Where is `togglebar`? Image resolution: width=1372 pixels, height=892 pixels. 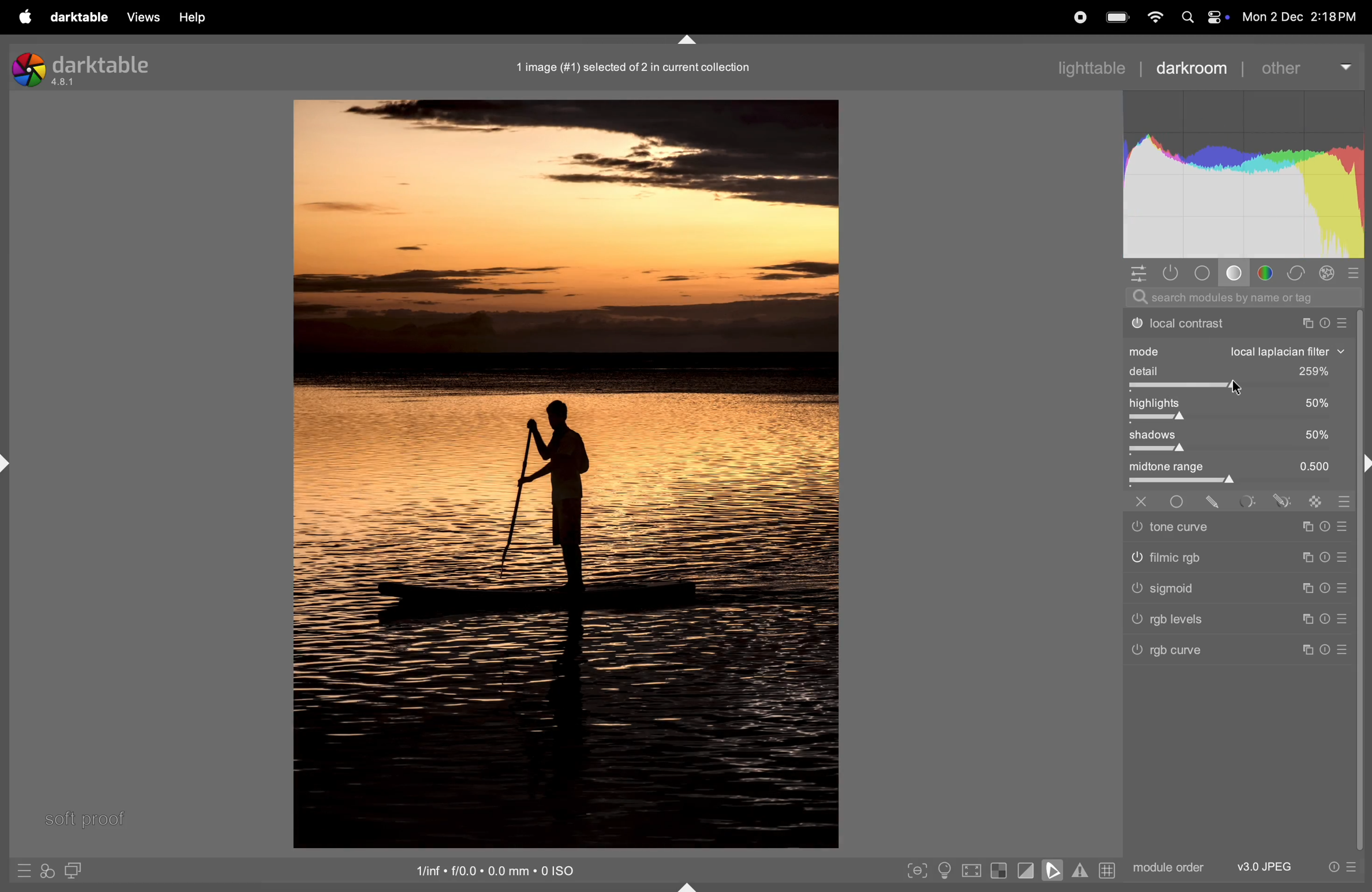
togglebar is located at coordinates (1238, 386).